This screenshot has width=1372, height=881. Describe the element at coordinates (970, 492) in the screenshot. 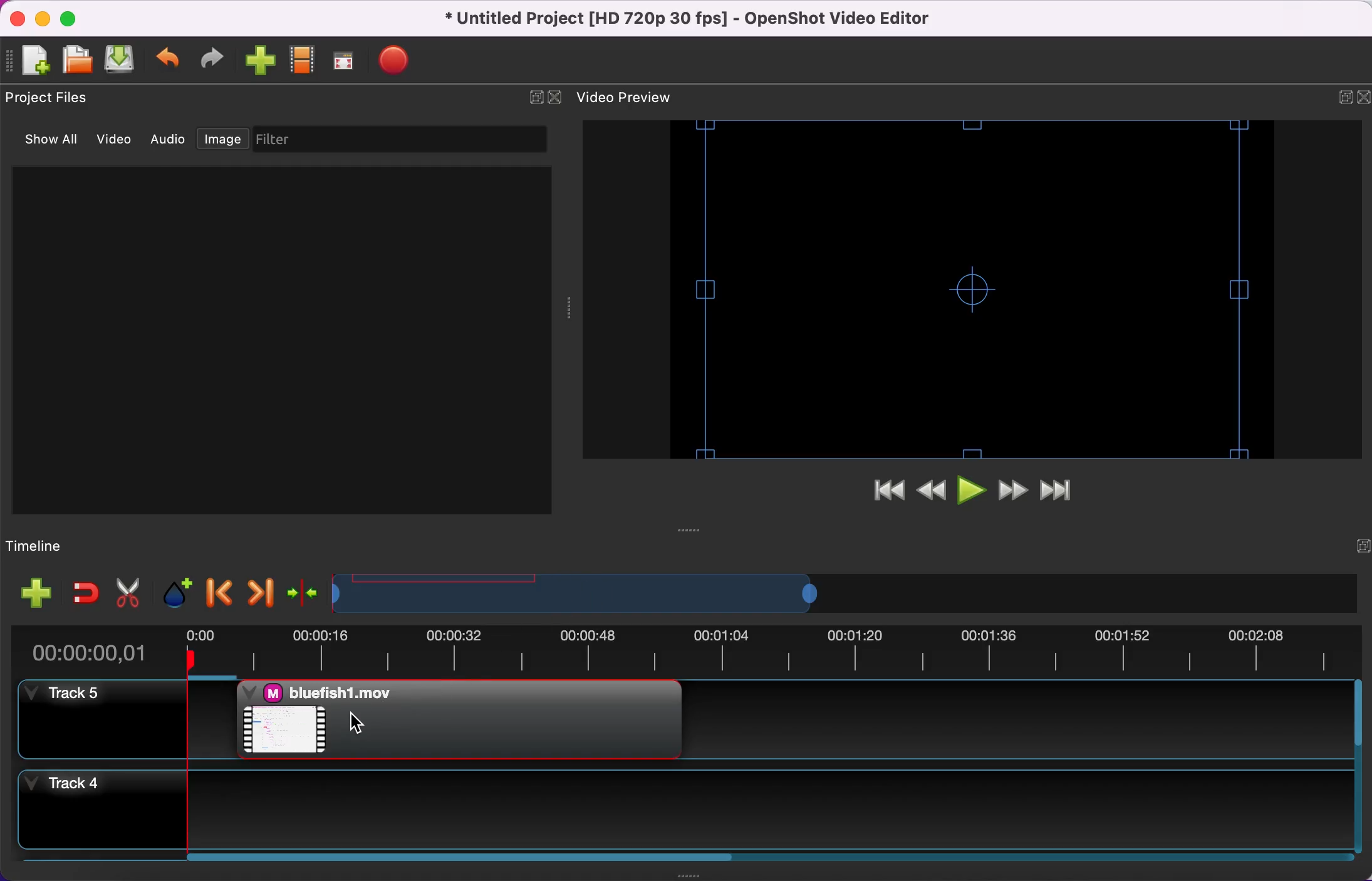

I see `play` at that location.